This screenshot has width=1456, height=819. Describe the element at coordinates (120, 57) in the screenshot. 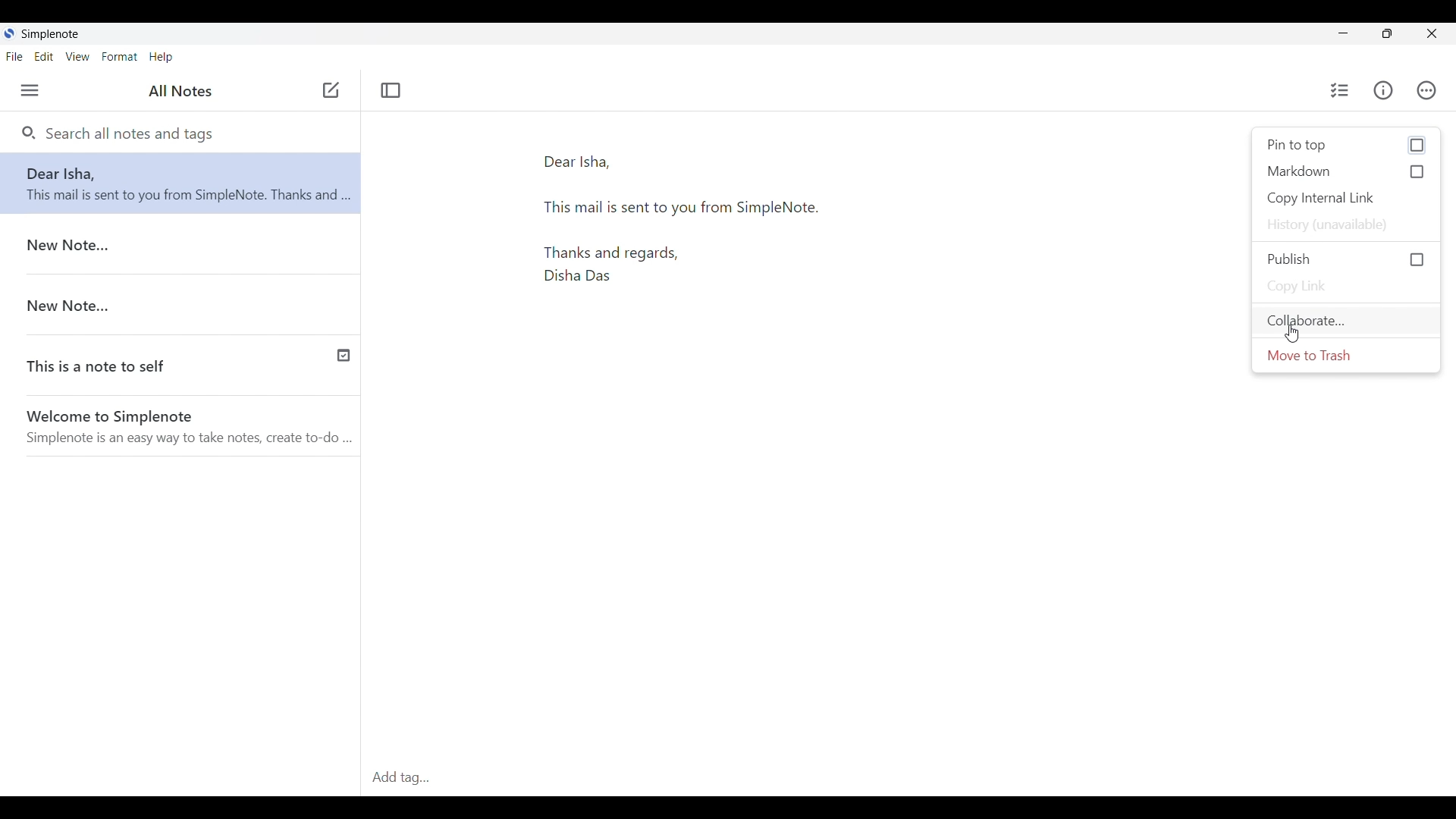

I see `Format` at that location.